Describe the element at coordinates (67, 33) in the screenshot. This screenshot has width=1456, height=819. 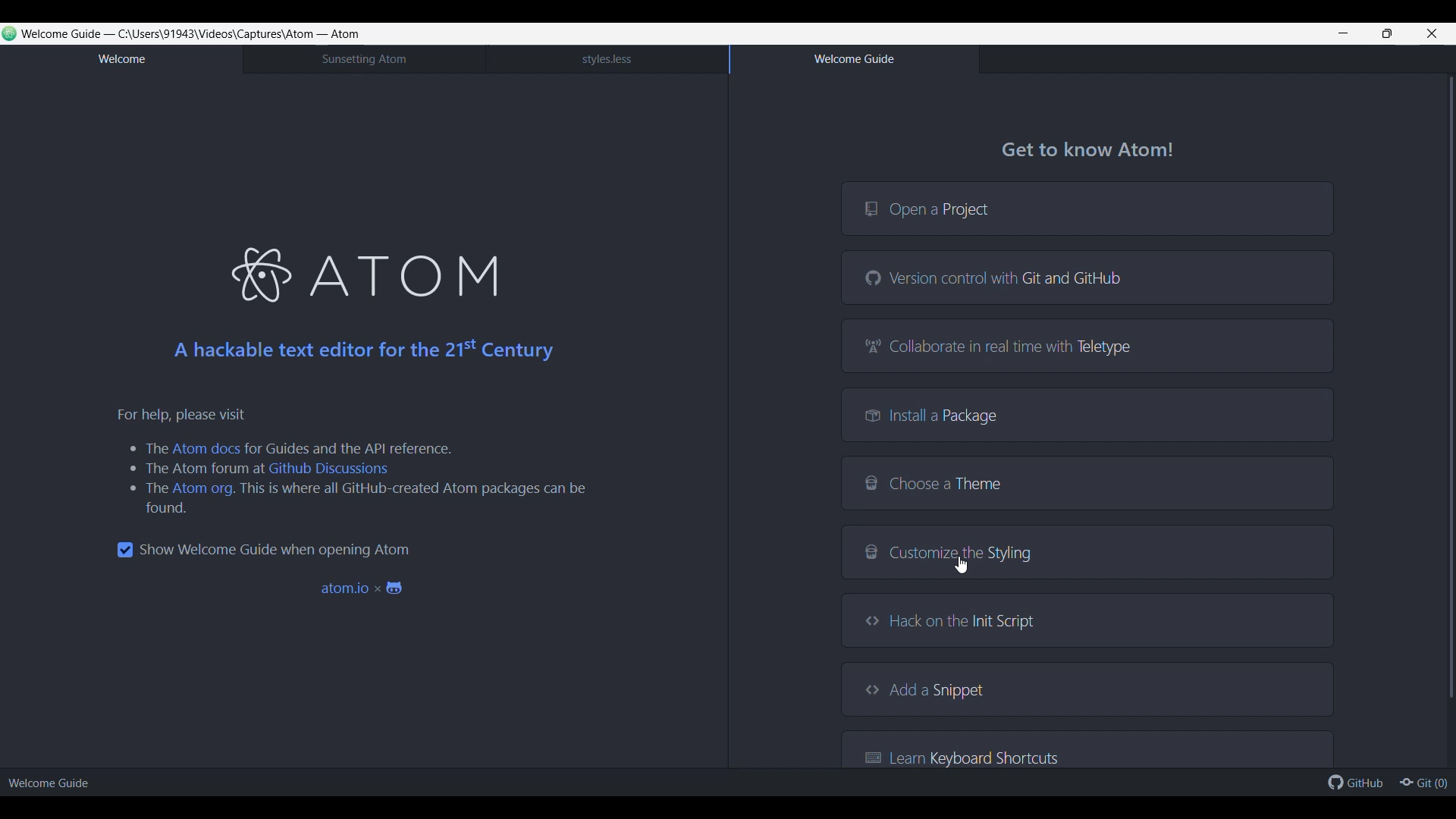
I see `Welcome Guide -` at that location.